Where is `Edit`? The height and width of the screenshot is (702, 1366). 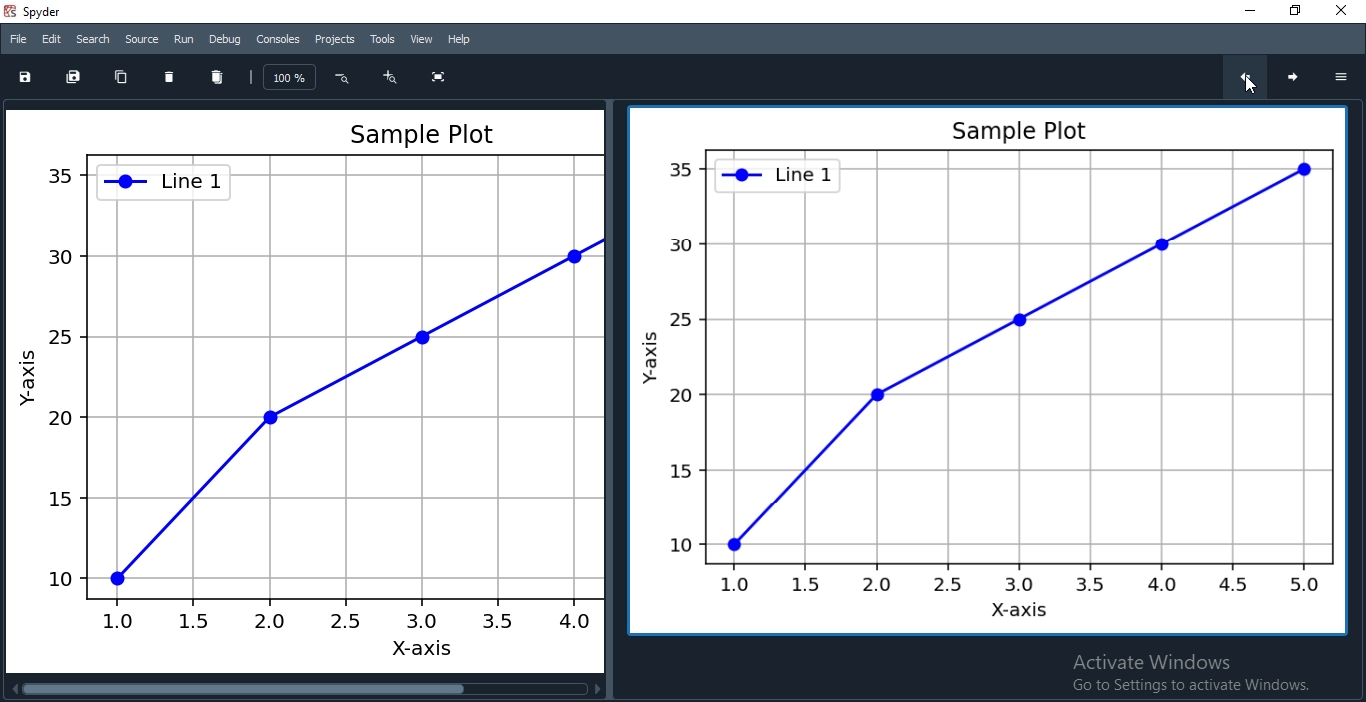
Edit is located at coordinates (49, 39).